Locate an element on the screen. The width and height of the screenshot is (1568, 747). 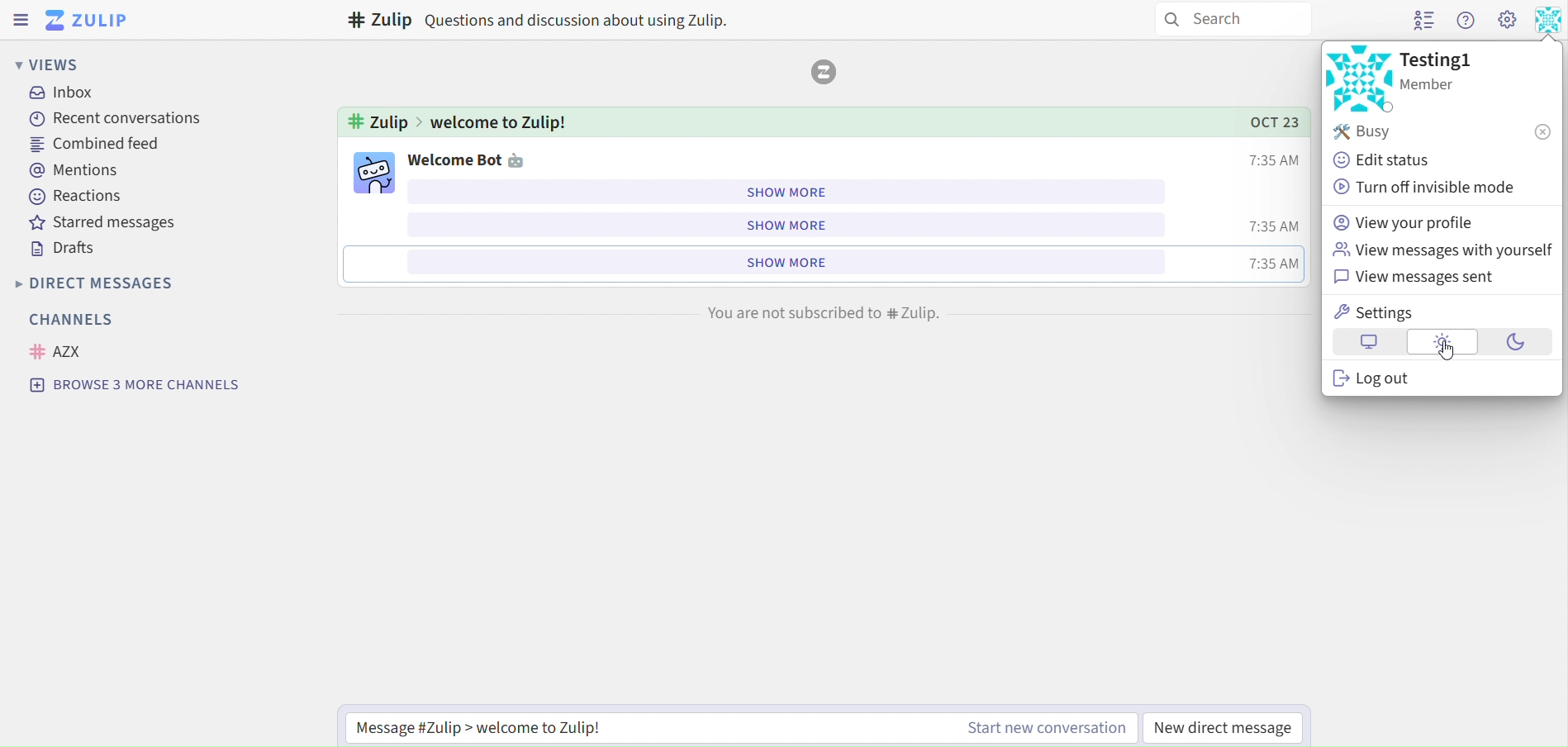
dark theme is located at coordinates (1517, 344).